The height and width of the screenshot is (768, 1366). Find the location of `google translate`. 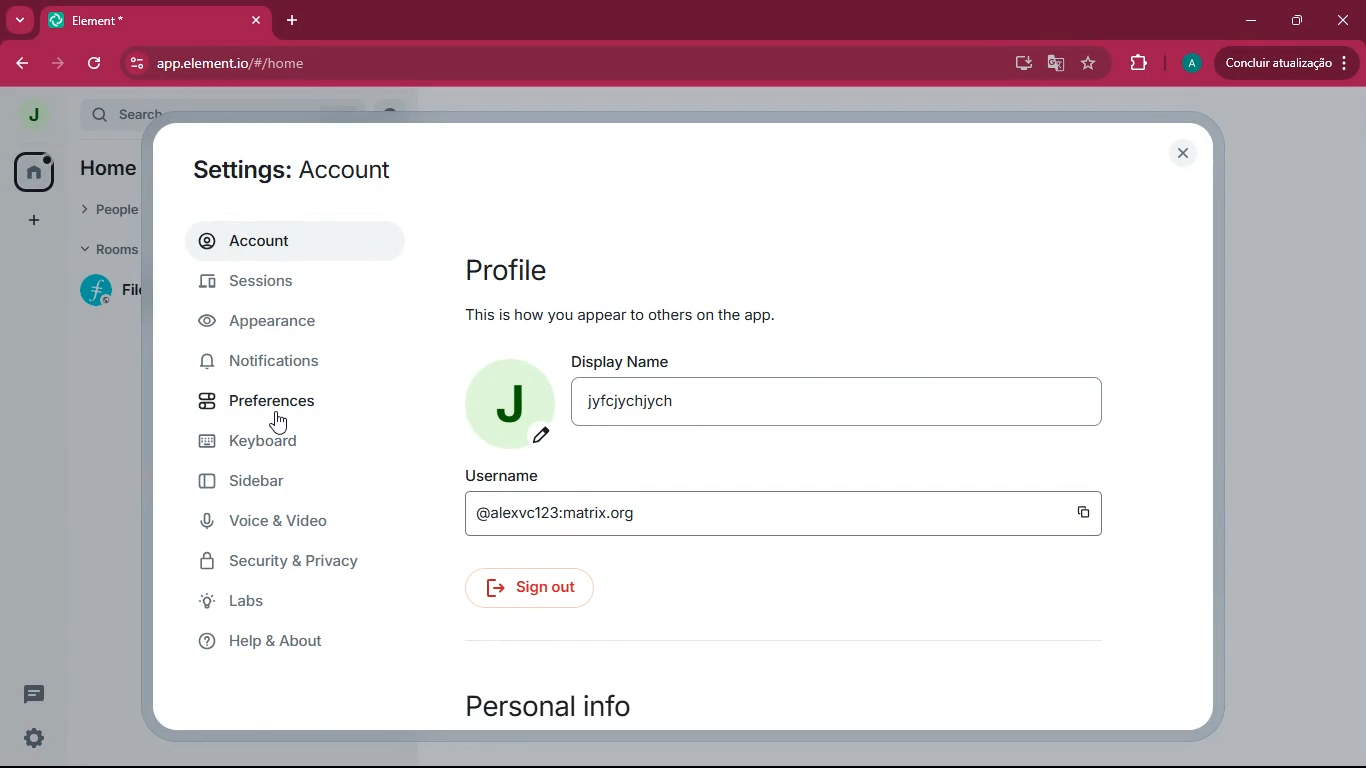

google translate is located at coordinates (1054, 63).